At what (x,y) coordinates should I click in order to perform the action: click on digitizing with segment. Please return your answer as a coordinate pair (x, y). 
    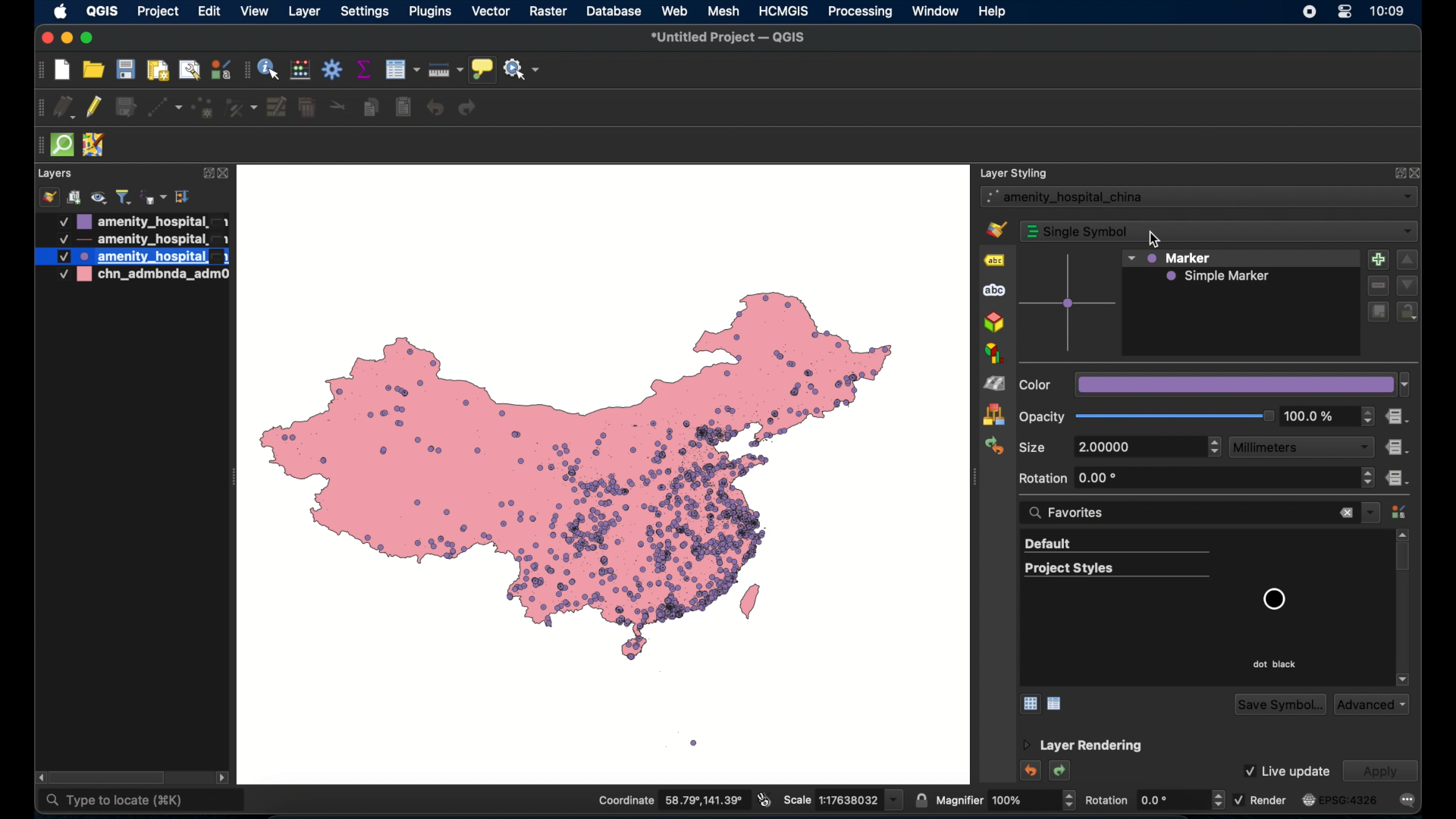
    Looking at the image, I should click on (38, 108).